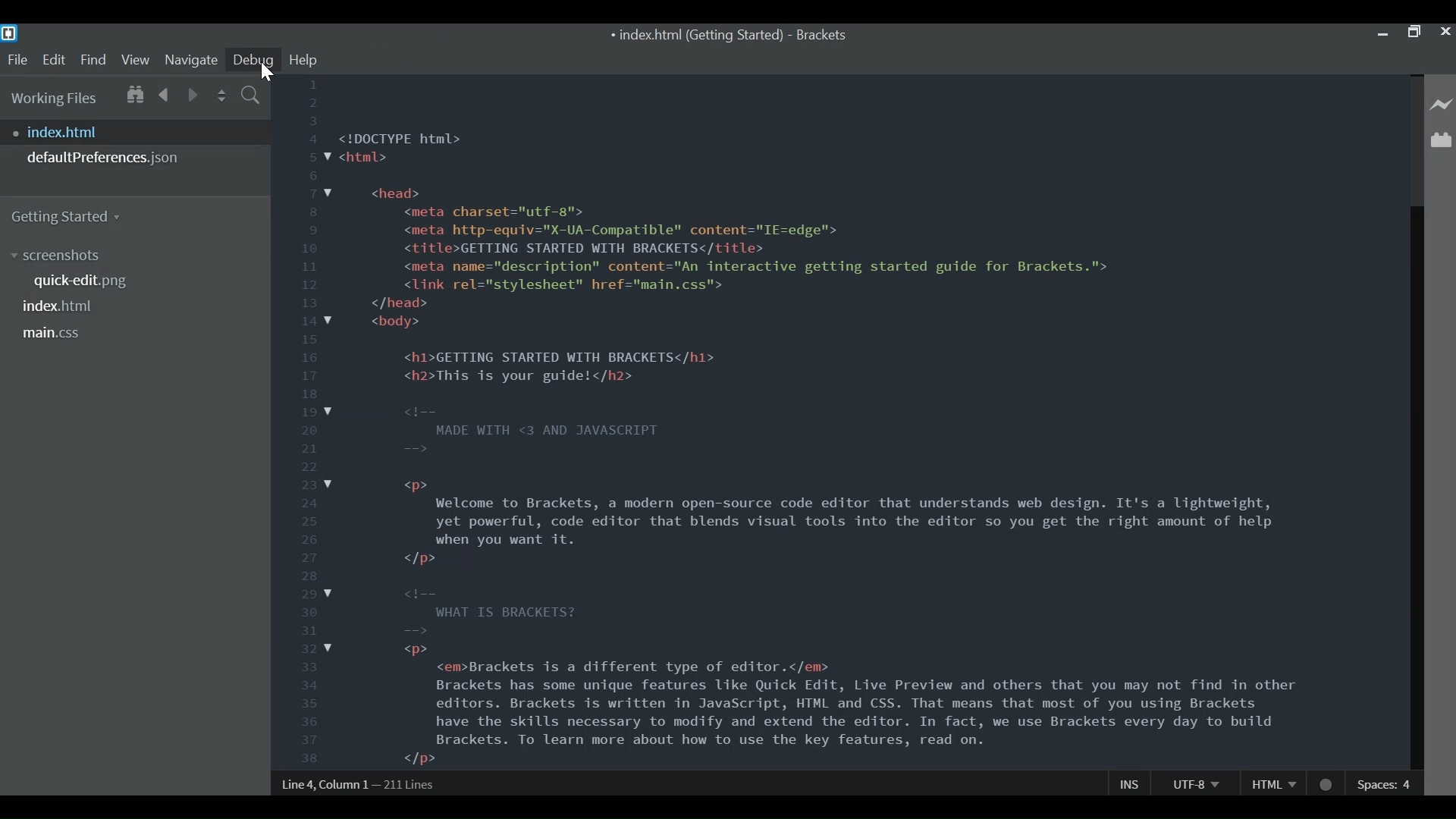 This screenshot has width=1456, height=819. I want to click on Edit, so click(53, 60).